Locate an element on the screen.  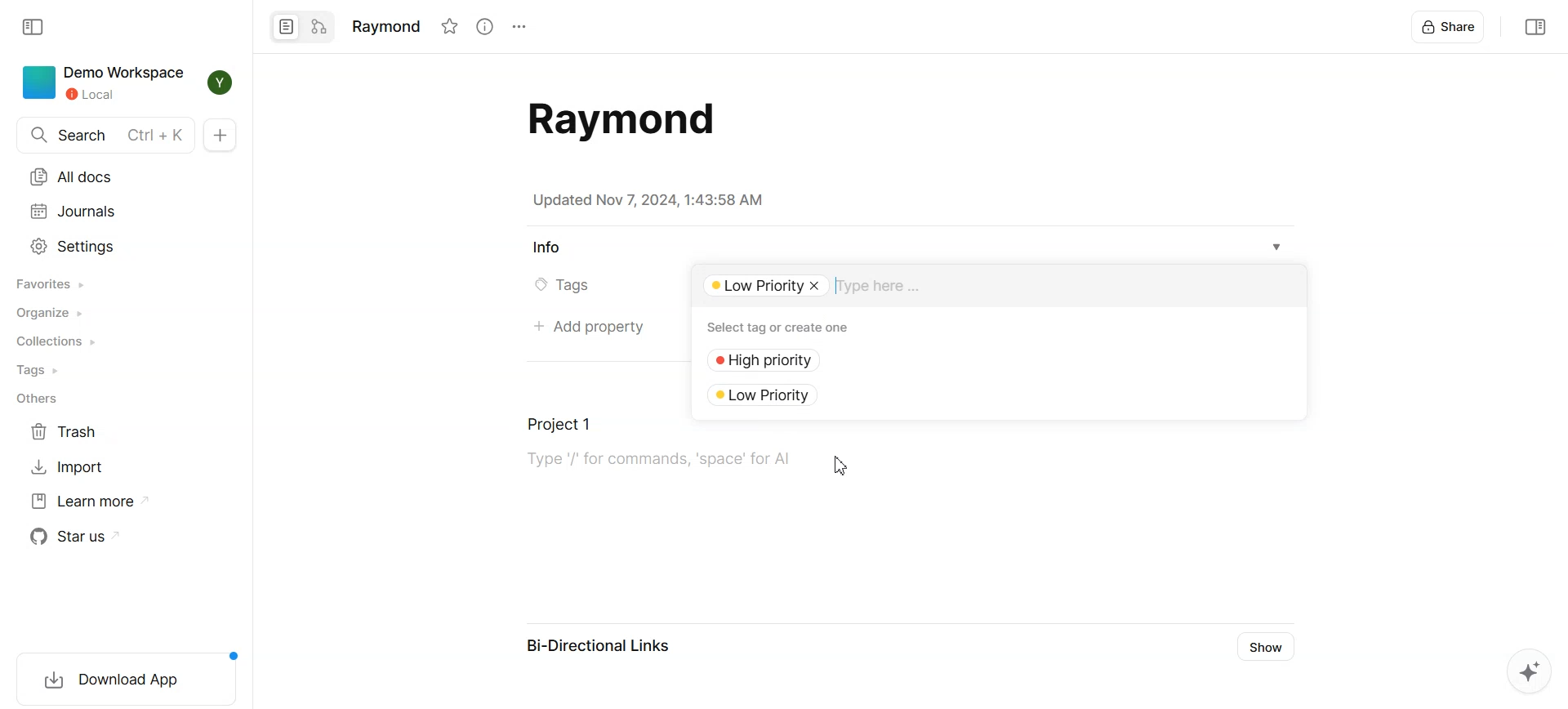
Document task is located at coordinates (648, 449).